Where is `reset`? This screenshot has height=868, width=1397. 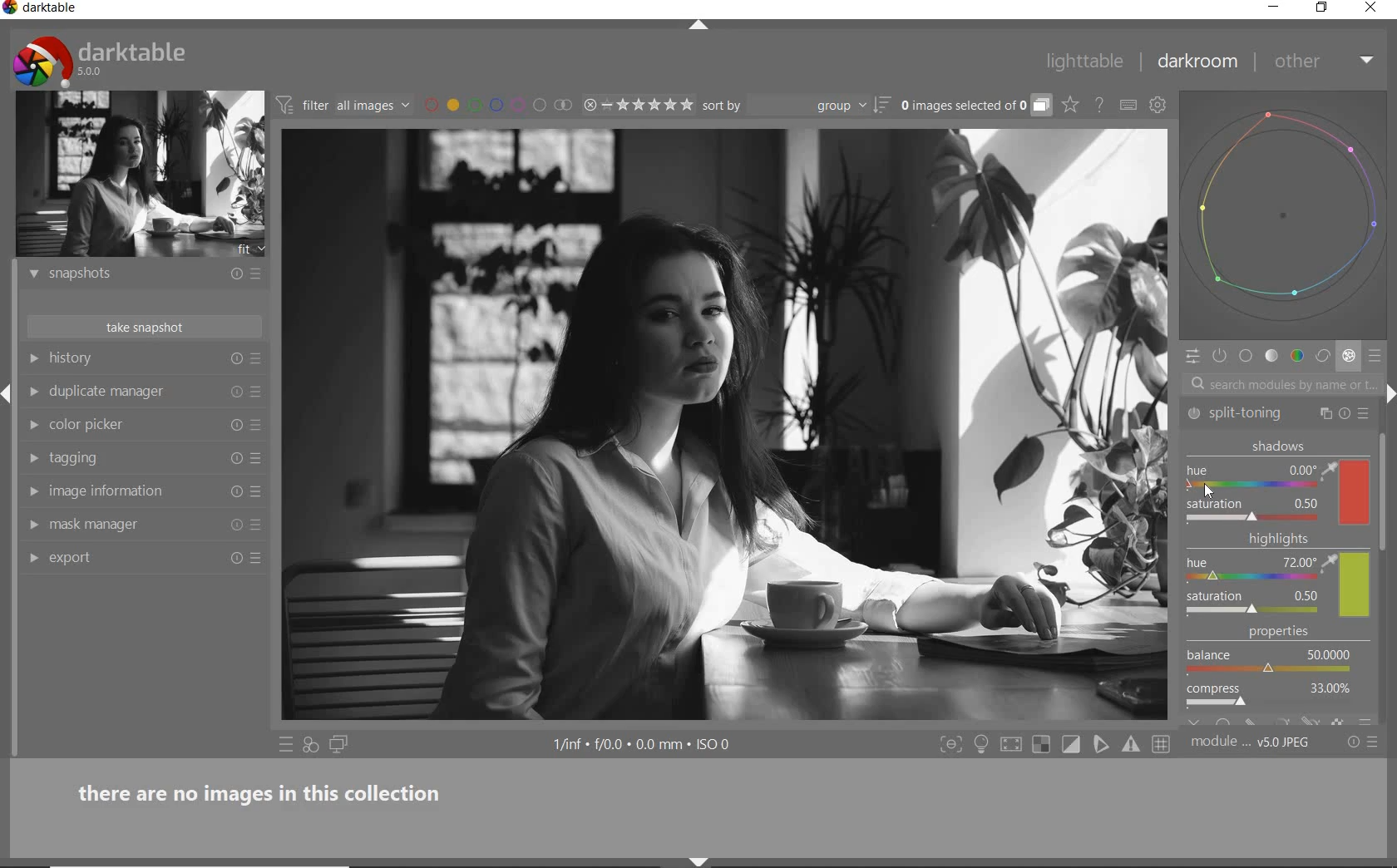
reset is located at coordinates (234, 457).